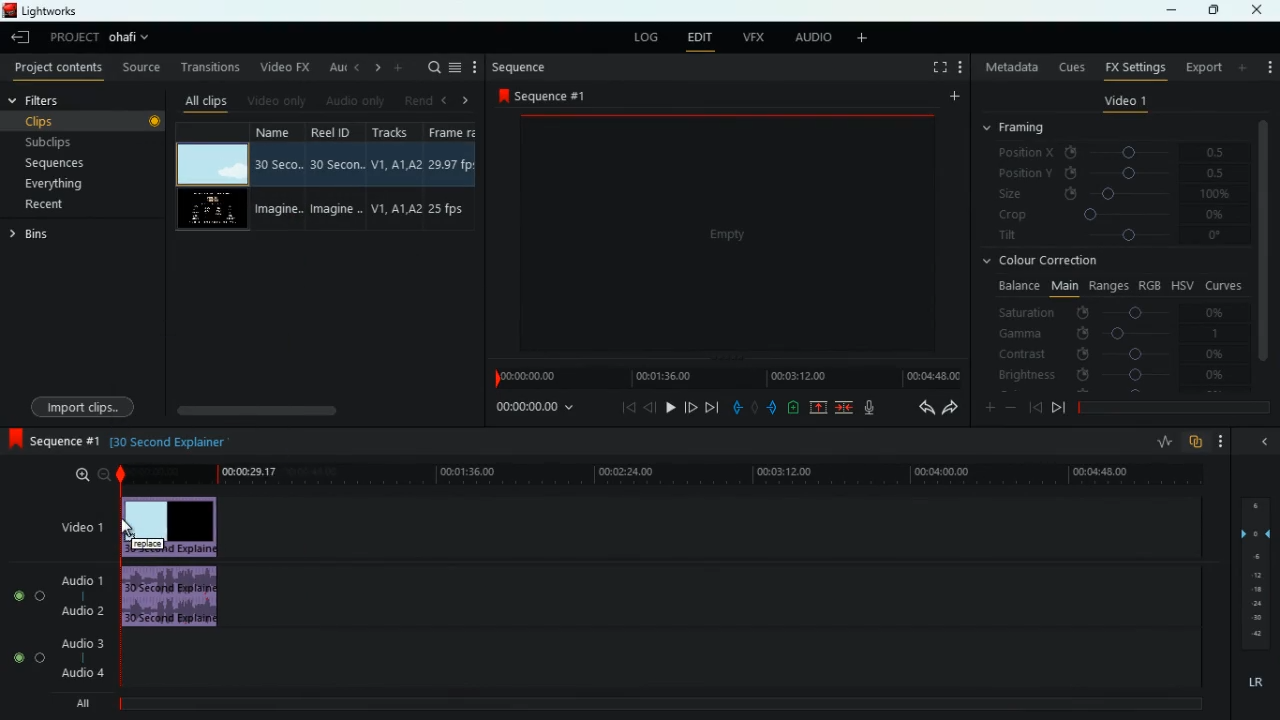 This screenshot has height=720, width=1280. Describe the element at coordinates (1058, 410) in the screenshot. I see `forward` at that location.